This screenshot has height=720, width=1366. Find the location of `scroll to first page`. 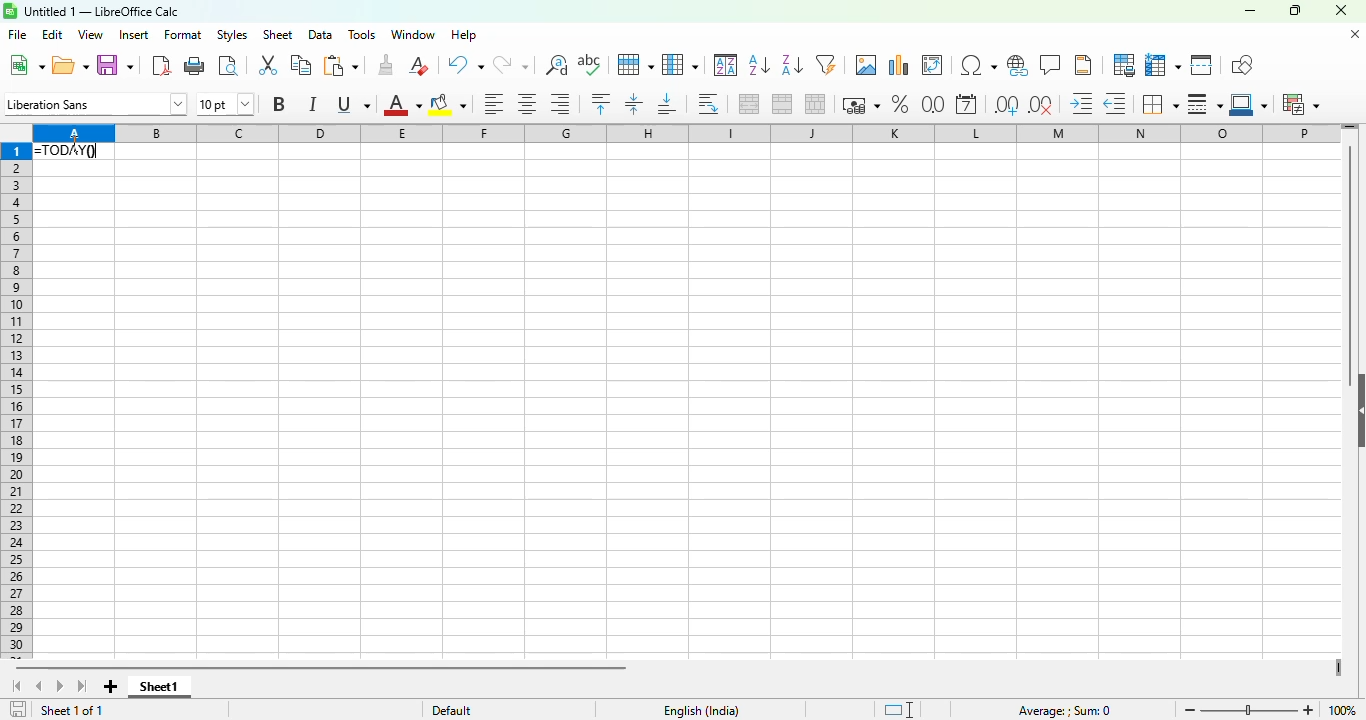

scroll to first page is located at coordinates (15, 686).